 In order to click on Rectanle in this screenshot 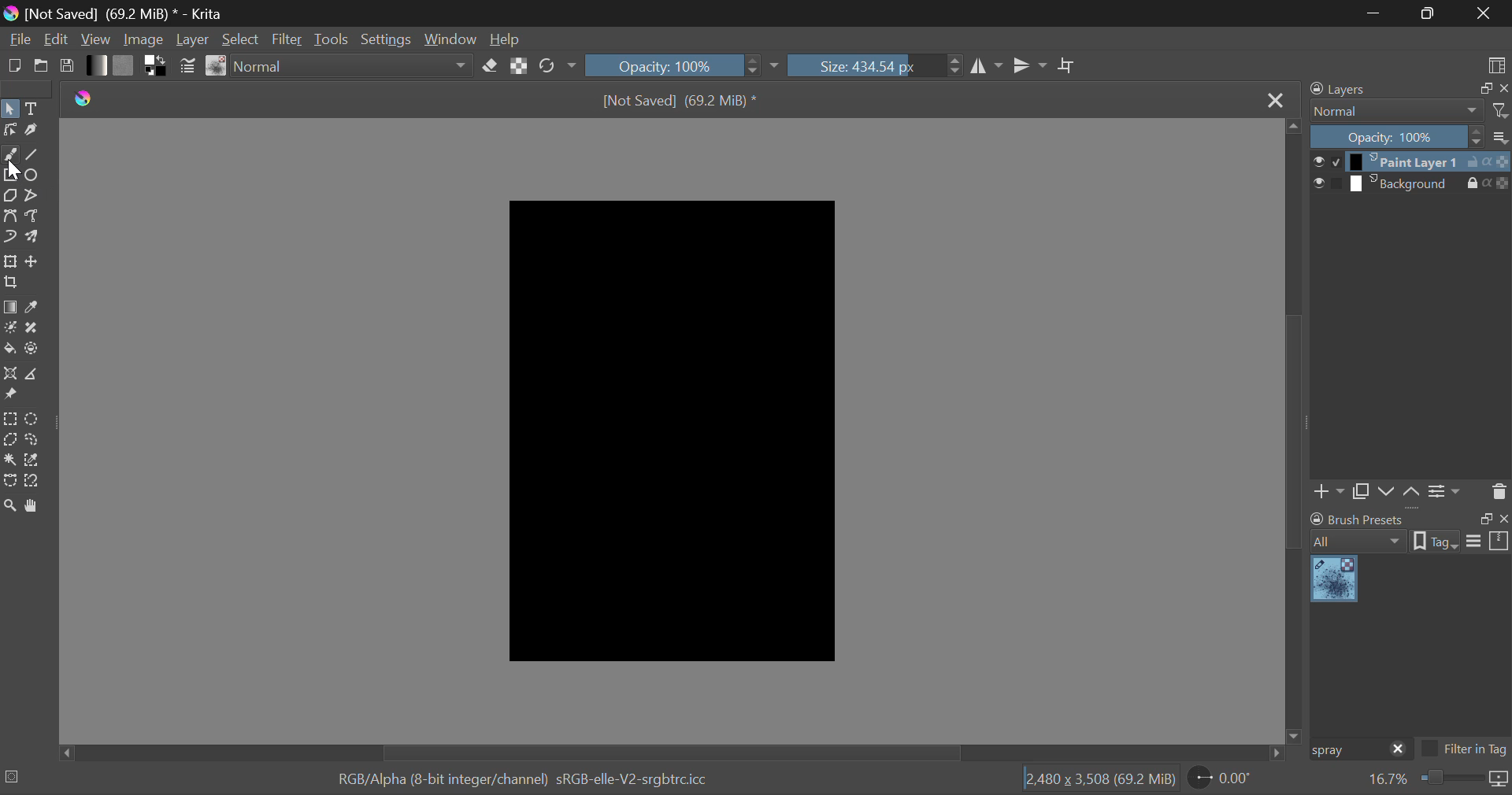, I will do `click(10, 176)`.